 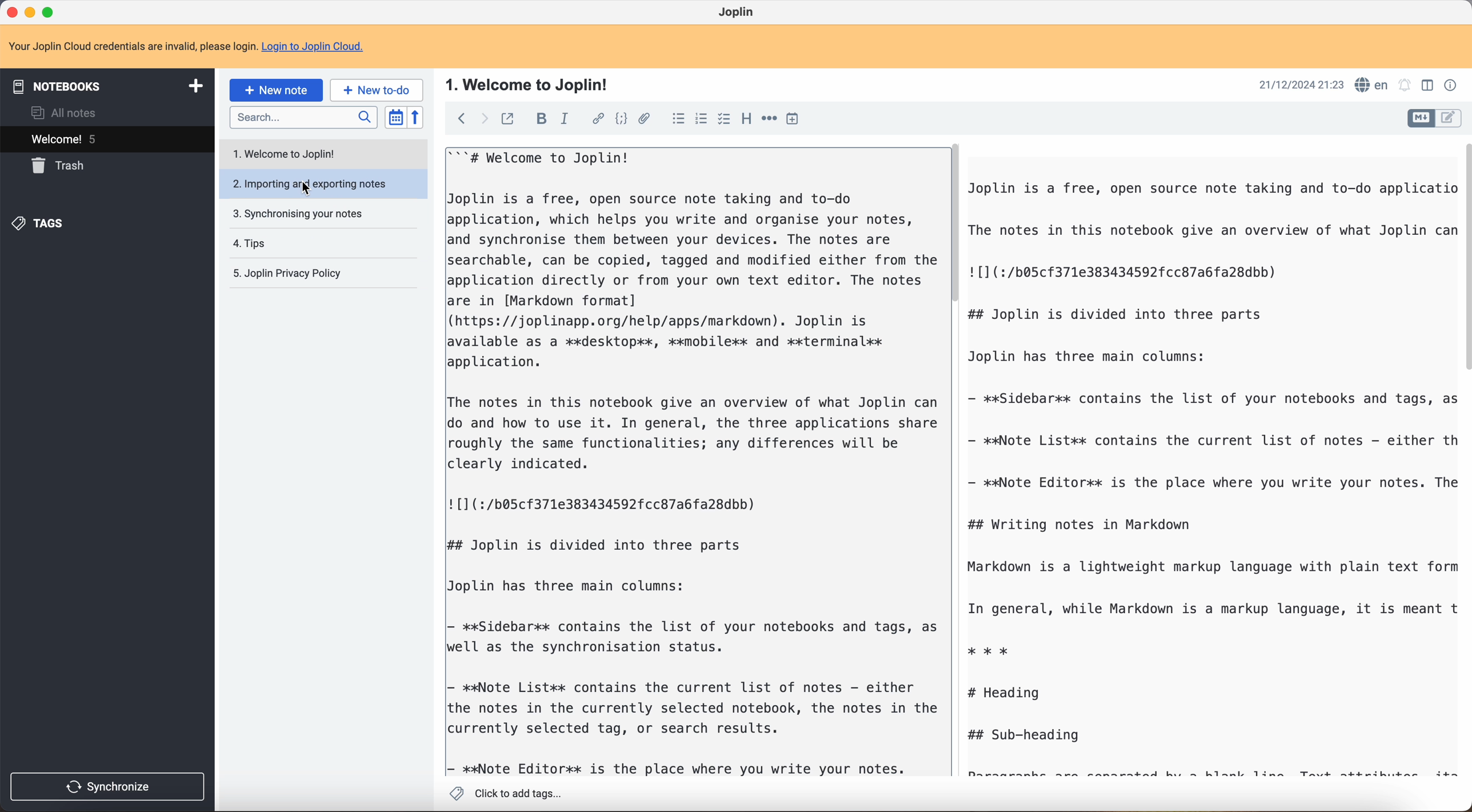 What do you see at coordinates (1213, 478) in the screenshot?
I see `Joplin is a free, open source note talking and to-do application. The notes in this notebook give an overview of what Joplin can…` at bounding box center [1213, 478].